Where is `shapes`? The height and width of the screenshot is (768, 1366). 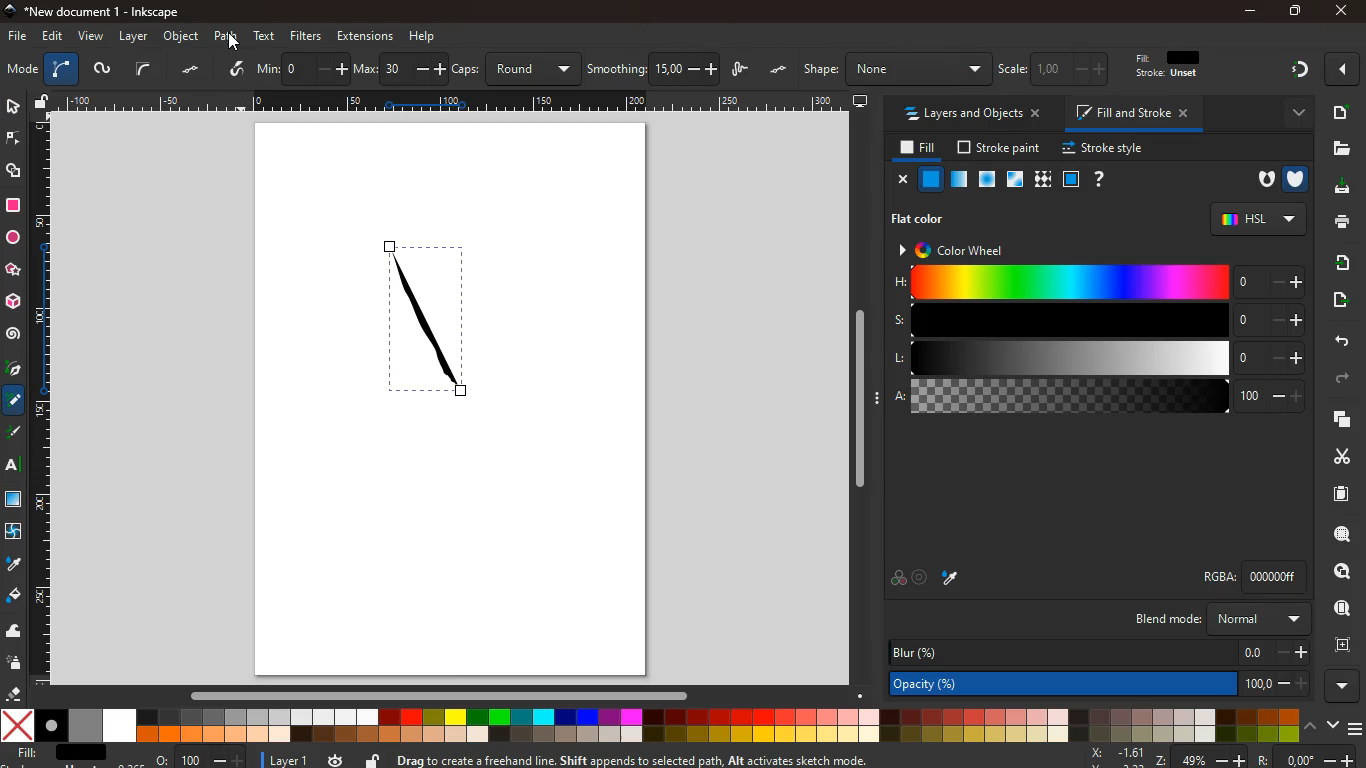 shapes is located at coordinates (15, 172).